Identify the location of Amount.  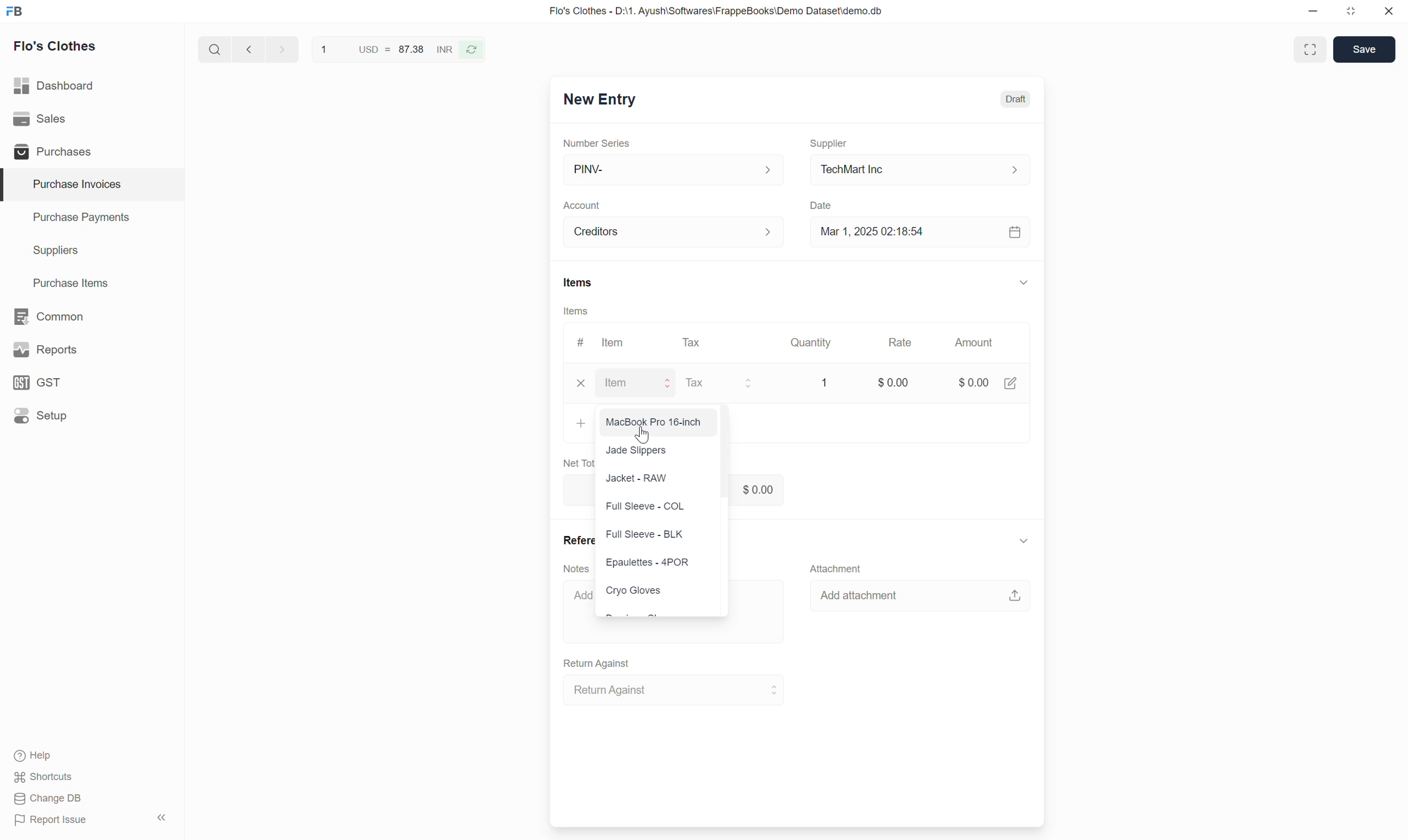
(978, 342).